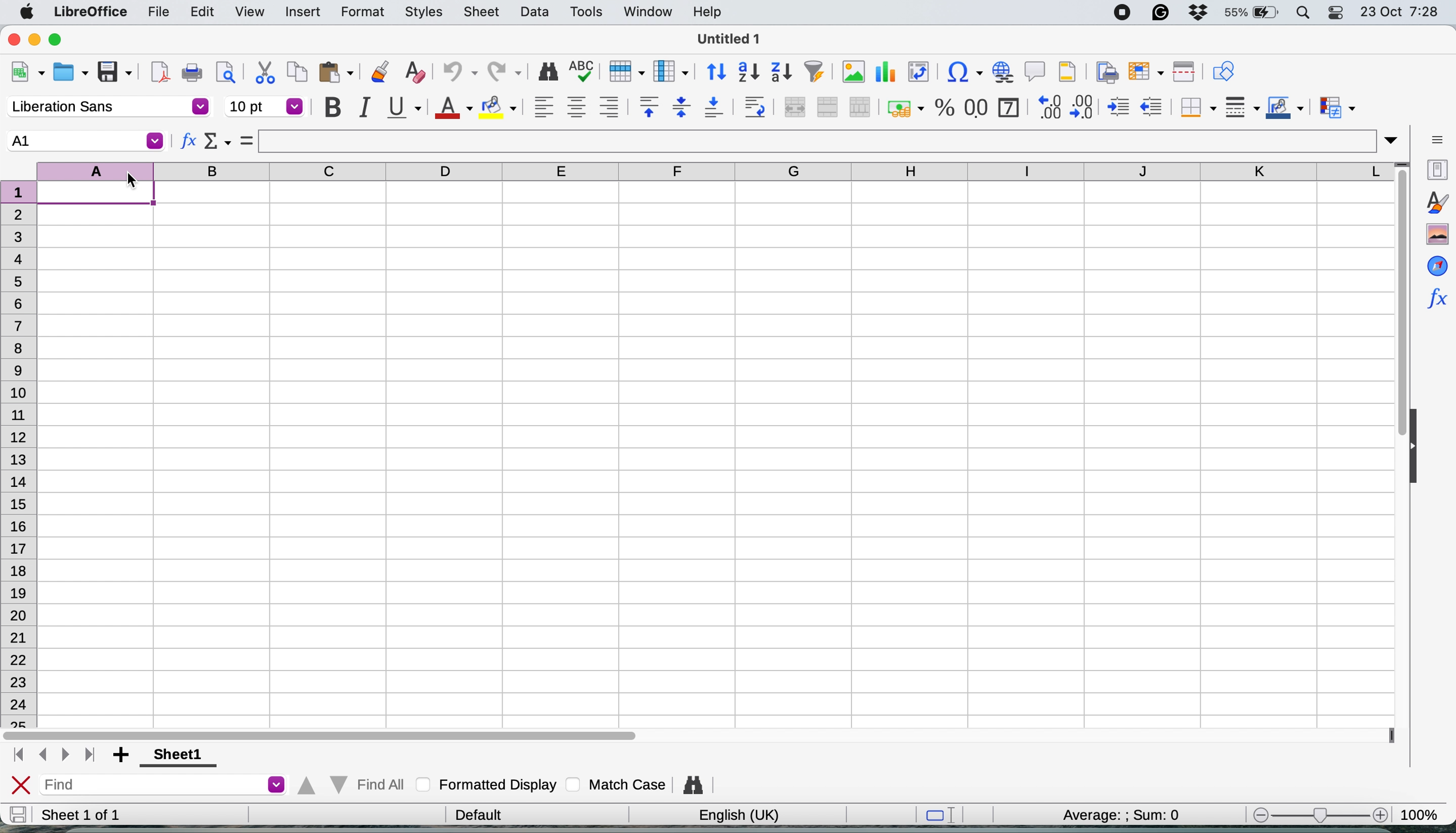 The image size is (1456, 833). What do you see at coordinates (1434, 204) in the screenshot?
I see `styles` at bounding box center [1434, 204].